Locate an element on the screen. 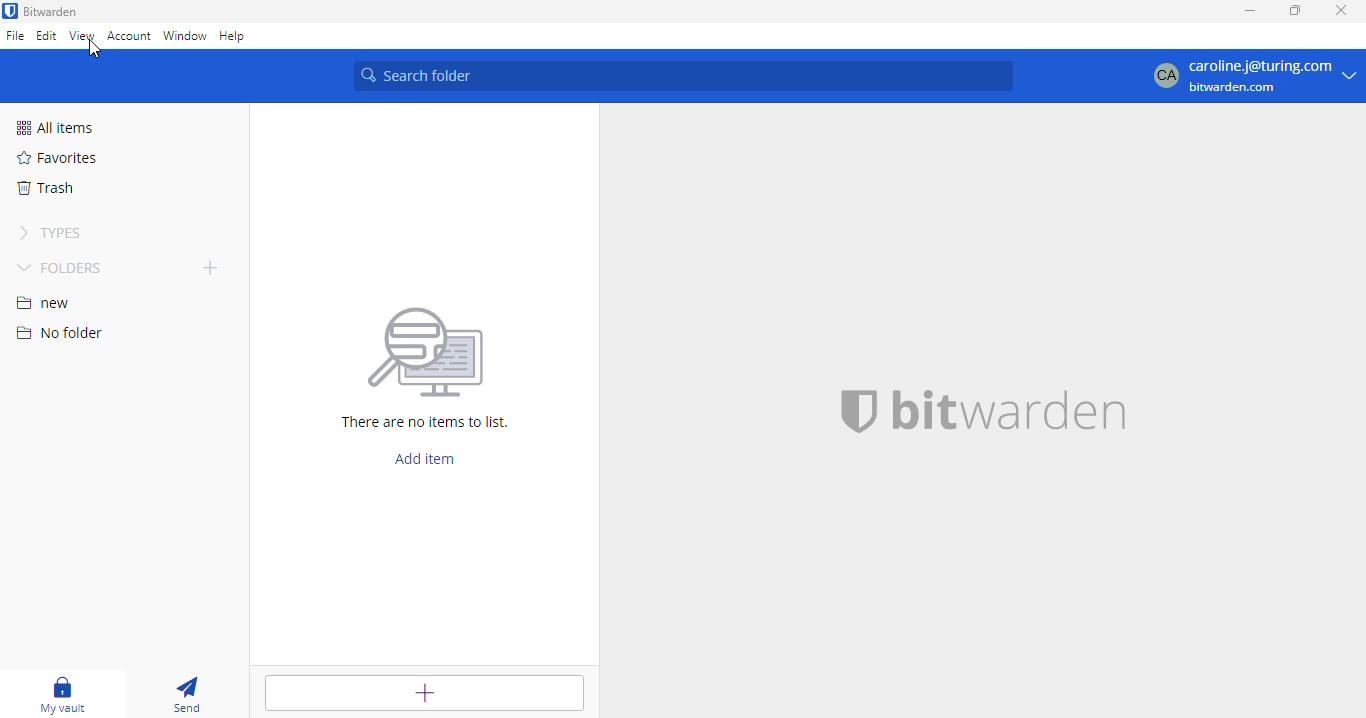 The height and width of the screenshot is (718, 1366). types is located at coordinates (49, 233).